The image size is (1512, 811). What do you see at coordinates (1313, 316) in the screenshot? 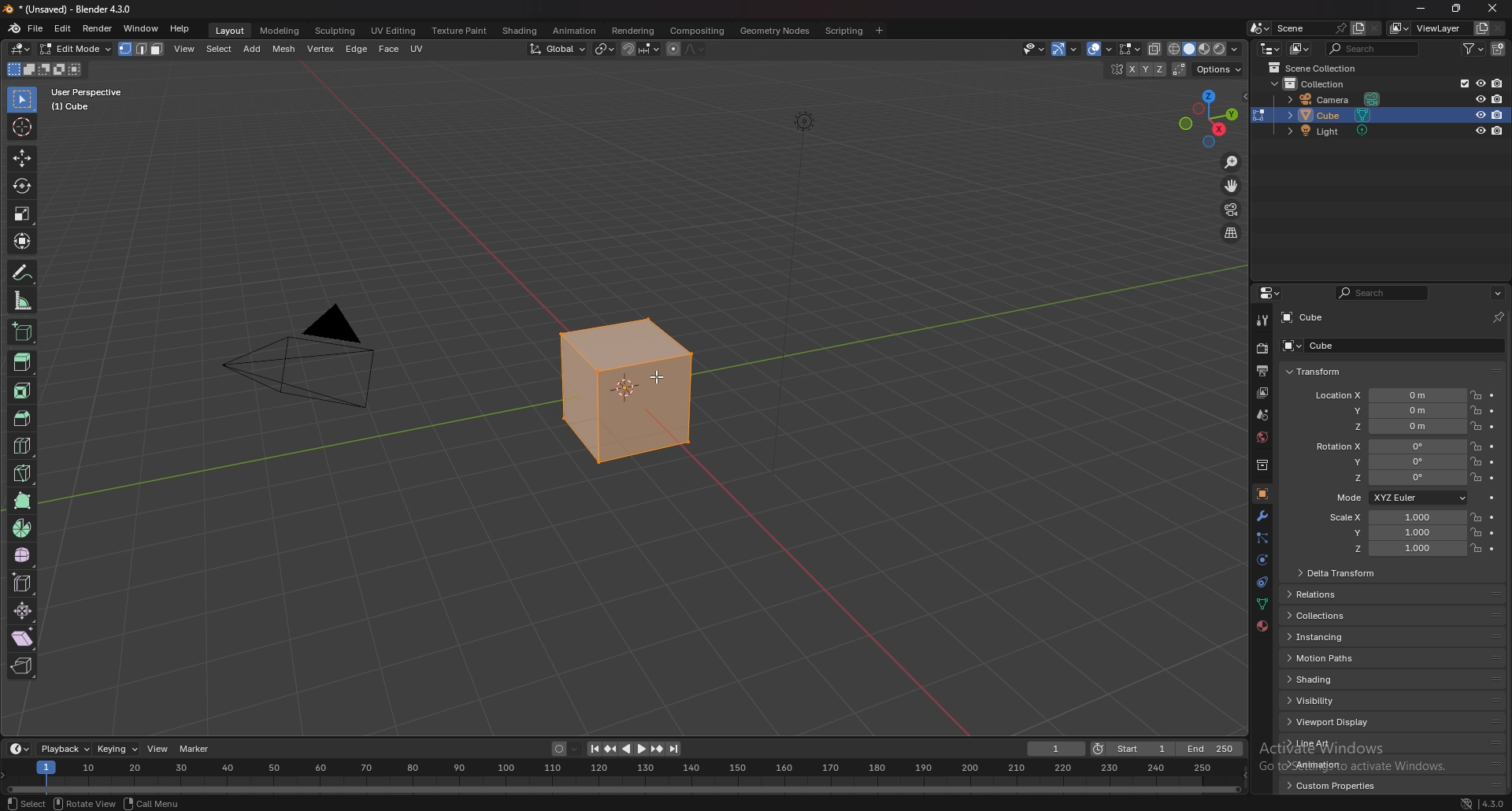
I see `cube` at bounding box center [1313, 316].